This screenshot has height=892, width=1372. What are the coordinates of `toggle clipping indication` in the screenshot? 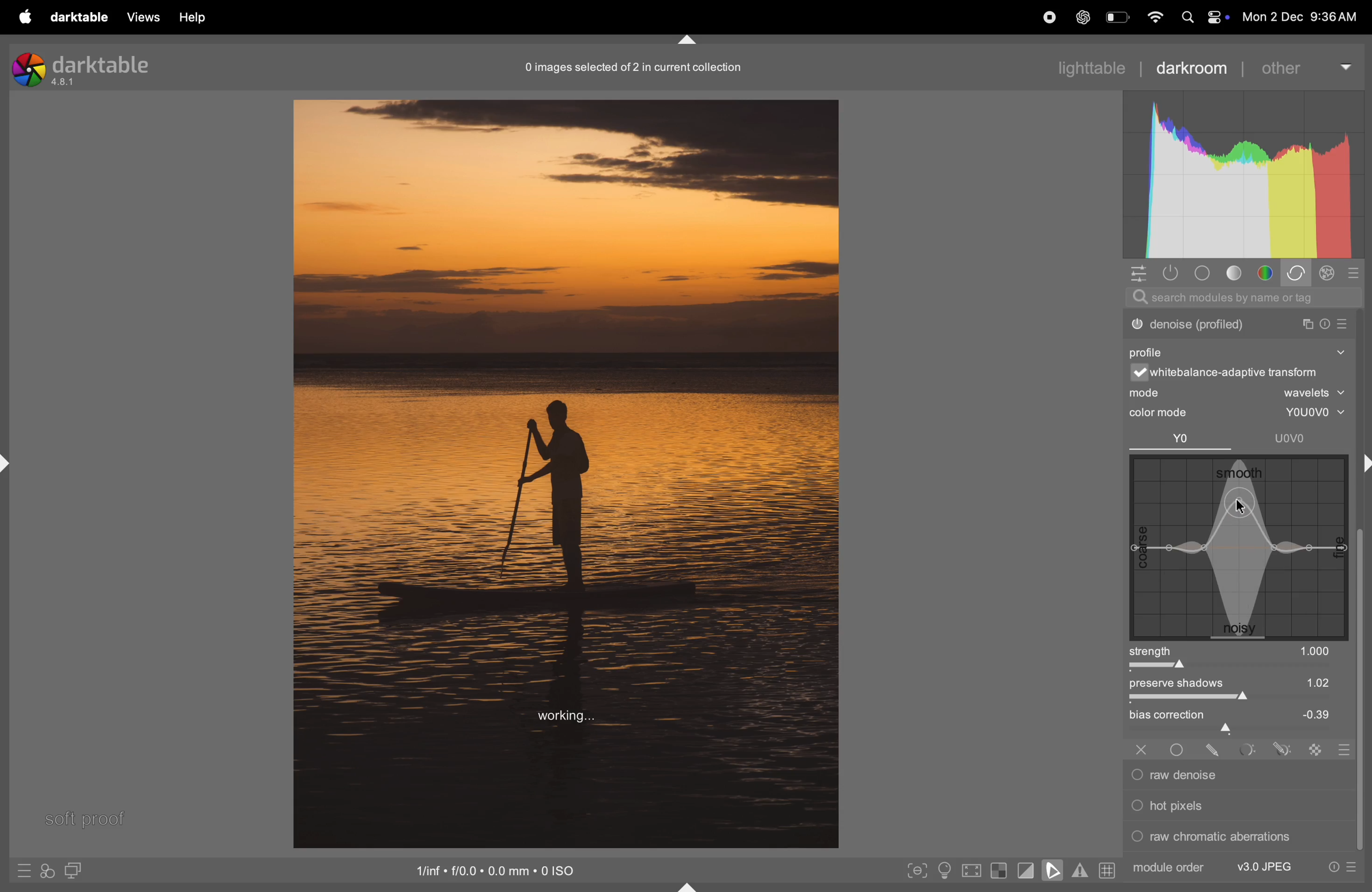 It's located at (1024, 872).